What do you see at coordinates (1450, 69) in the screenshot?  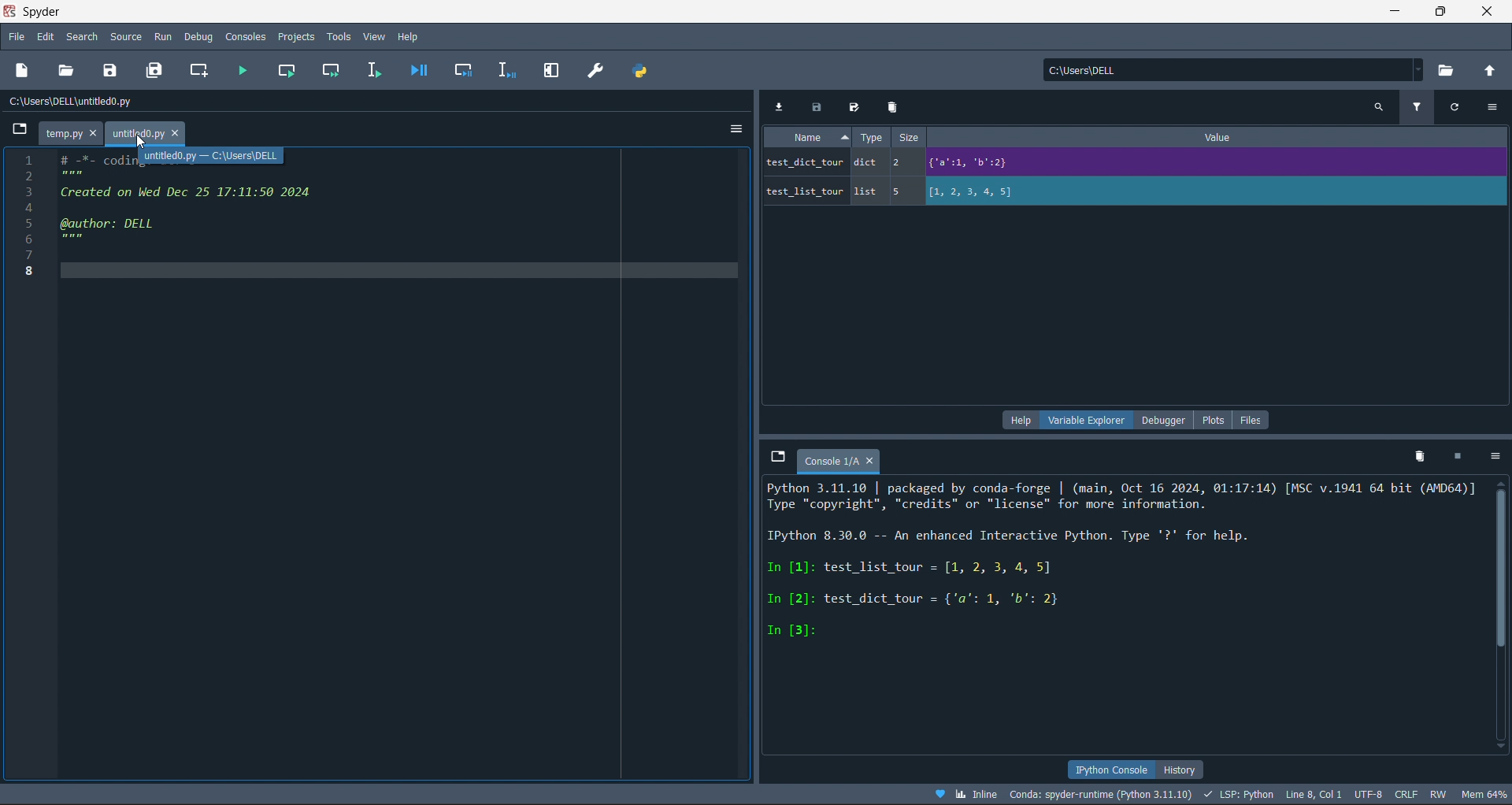 I see `search directory ` at bounding box center [1450, 69].